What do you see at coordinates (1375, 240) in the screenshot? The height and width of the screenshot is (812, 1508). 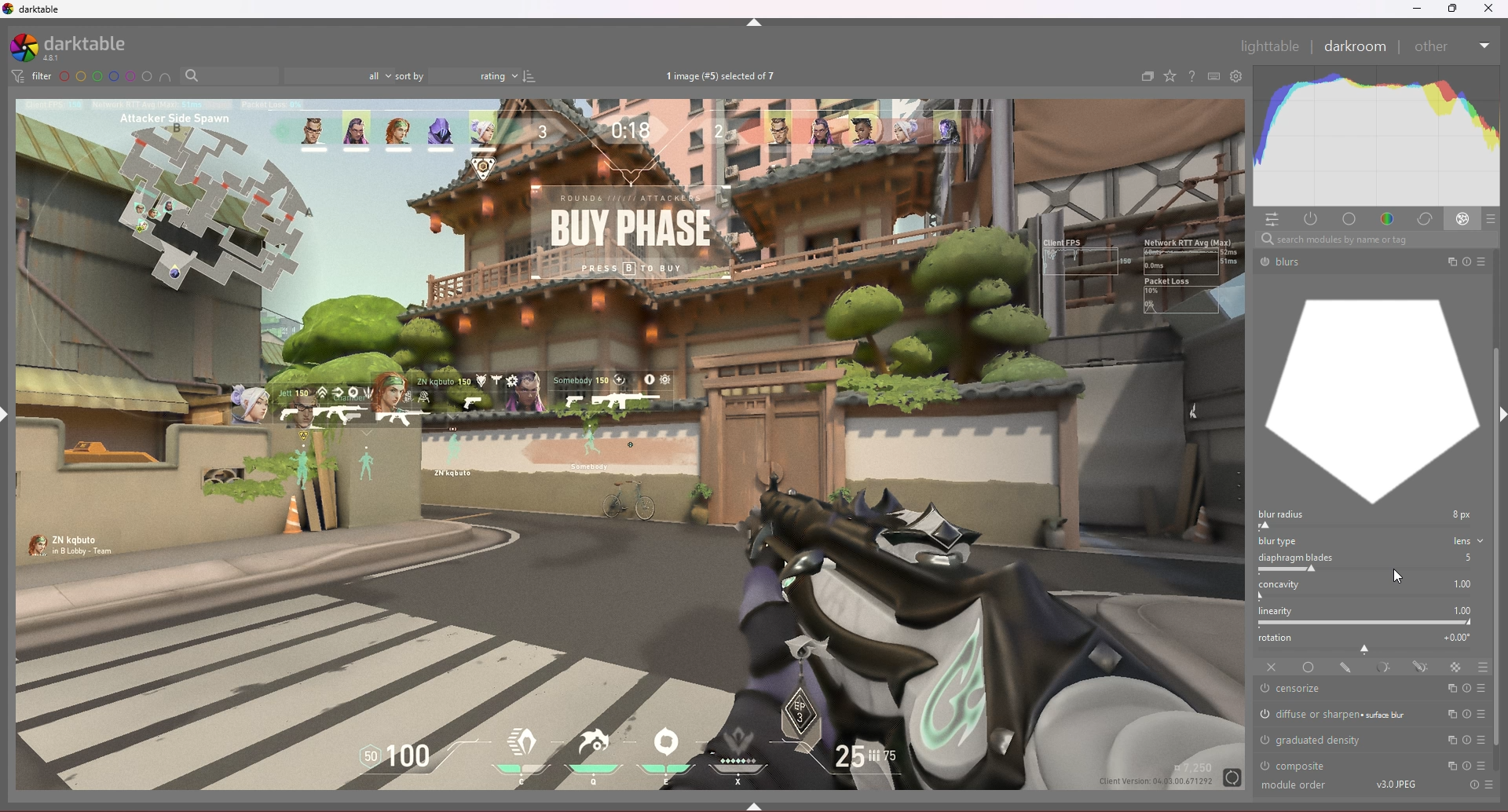 I see `` at bounding box center [1375, 240].